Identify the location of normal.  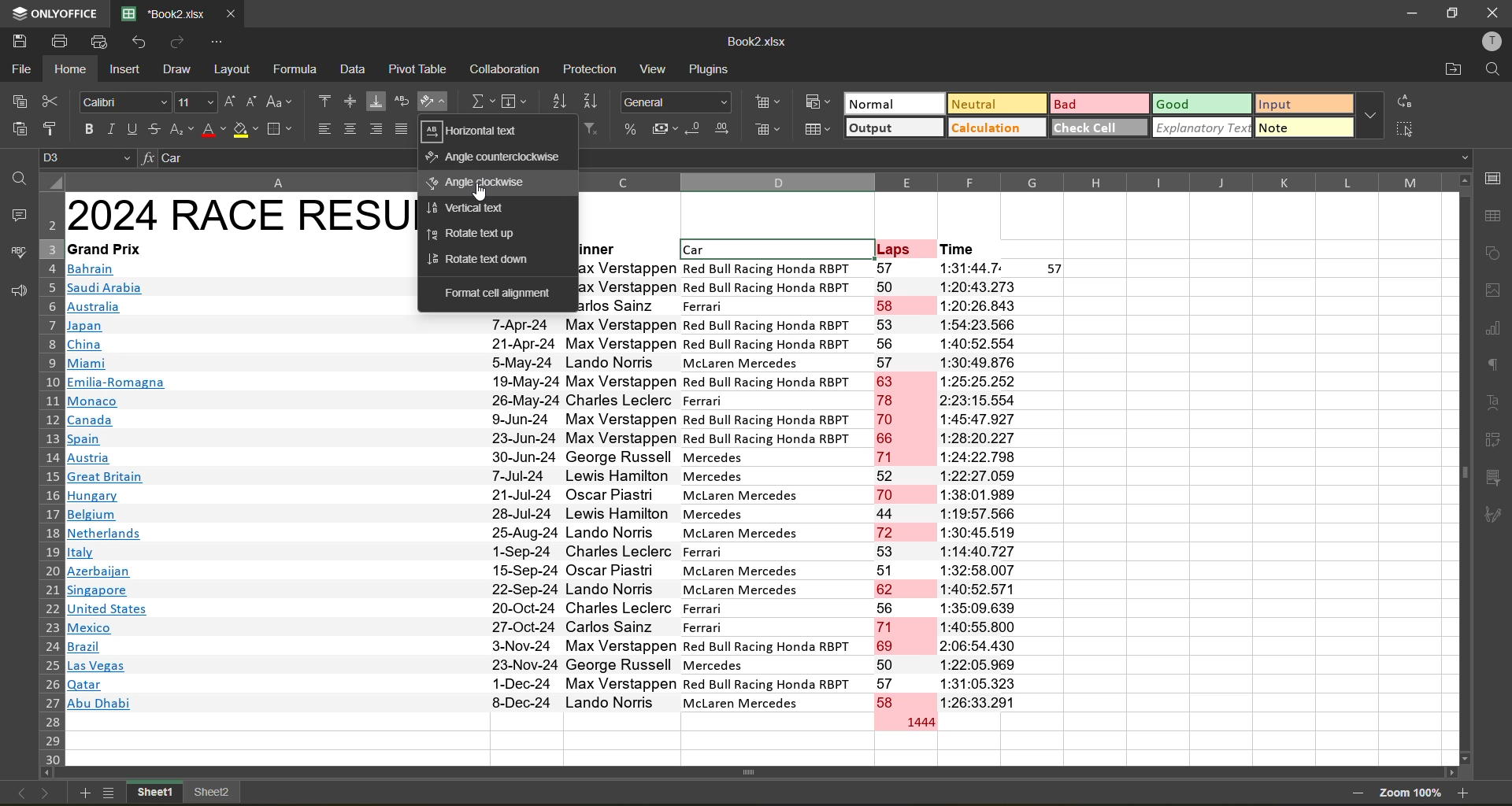
(892, 103).